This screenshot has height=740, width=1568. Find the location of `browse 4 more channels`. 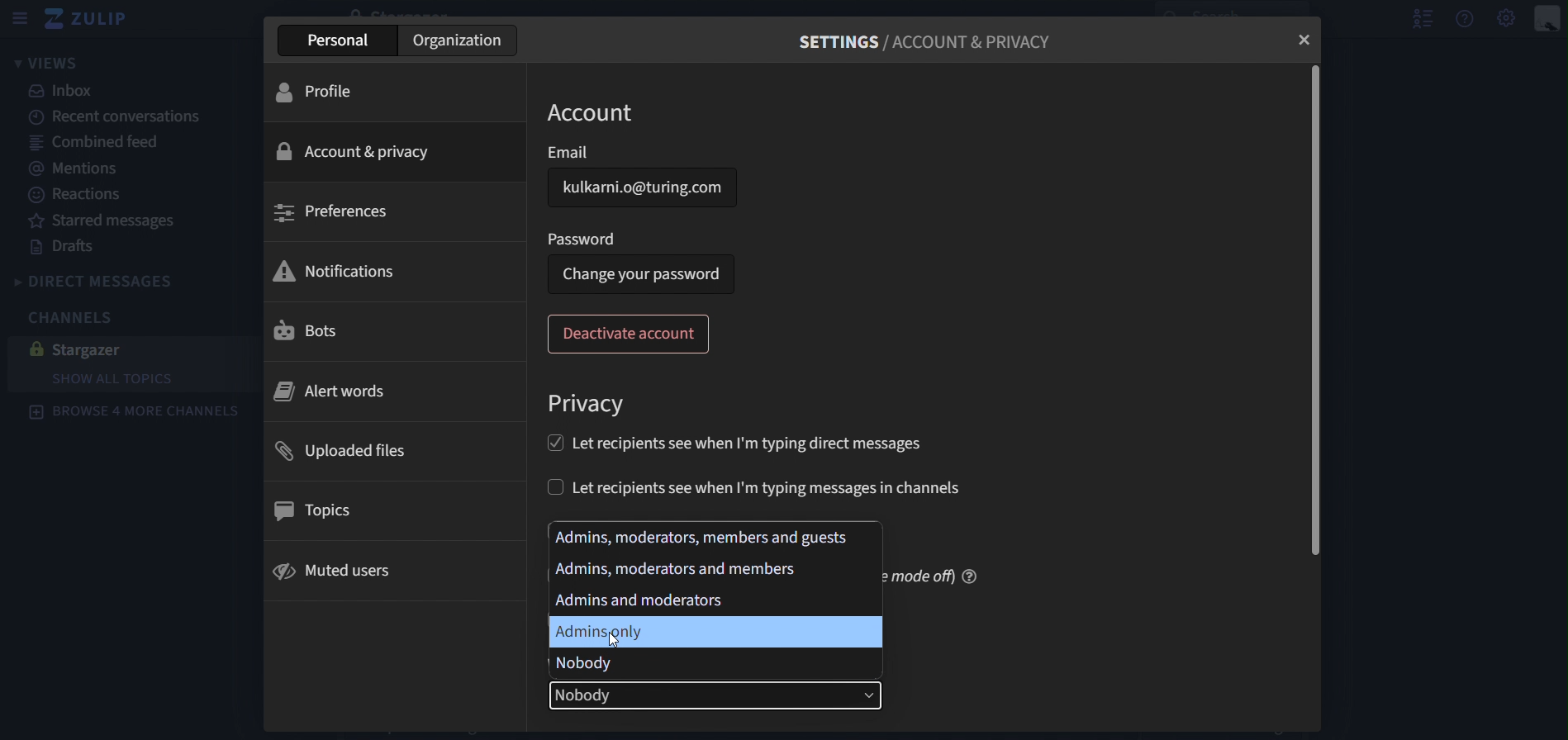

browse 4 more channels is located at coordinates (139, 415).